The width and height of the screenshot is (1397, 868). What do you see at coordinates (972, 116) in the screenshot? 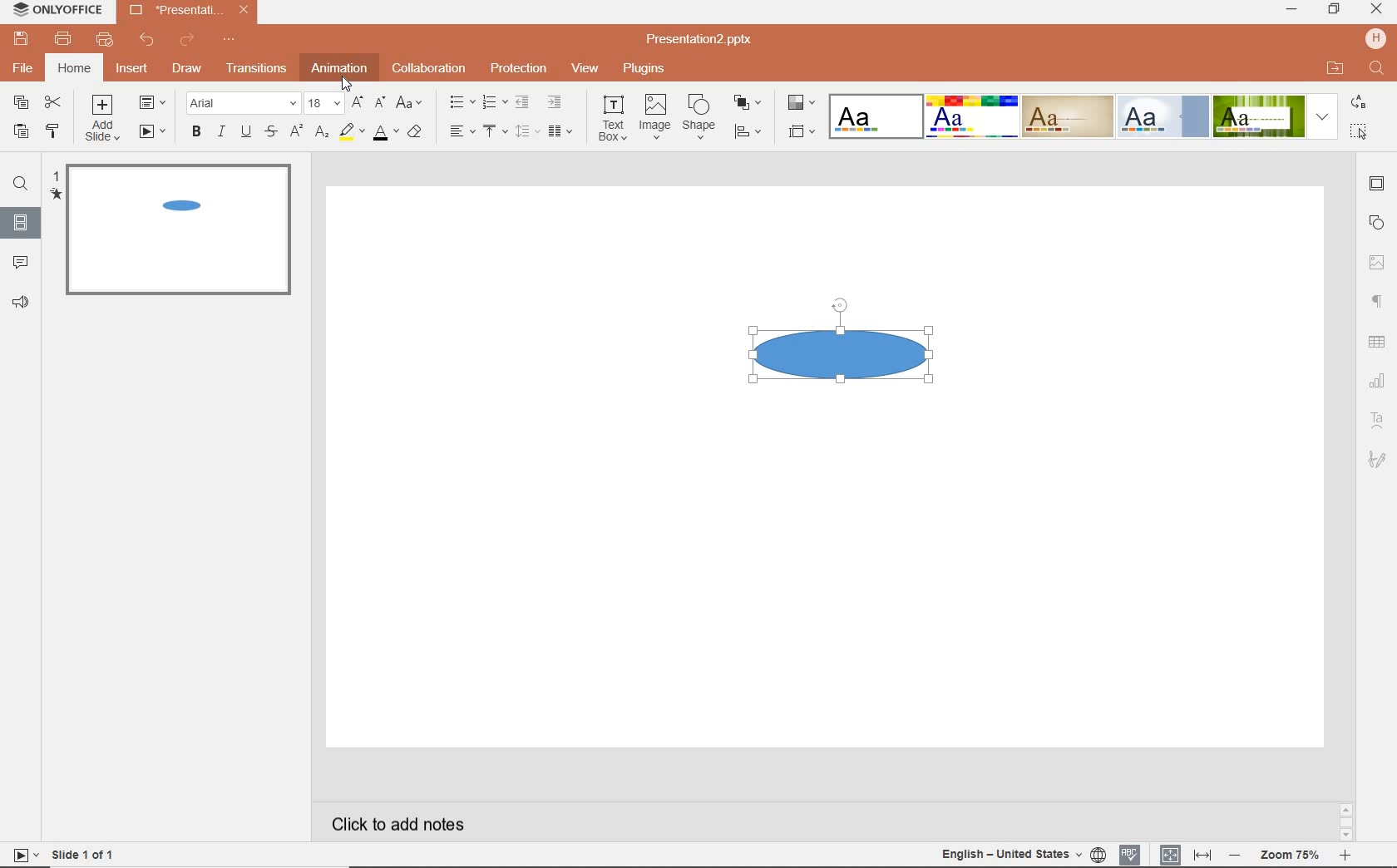
I see `Basic` at bounding box center [972, 116].